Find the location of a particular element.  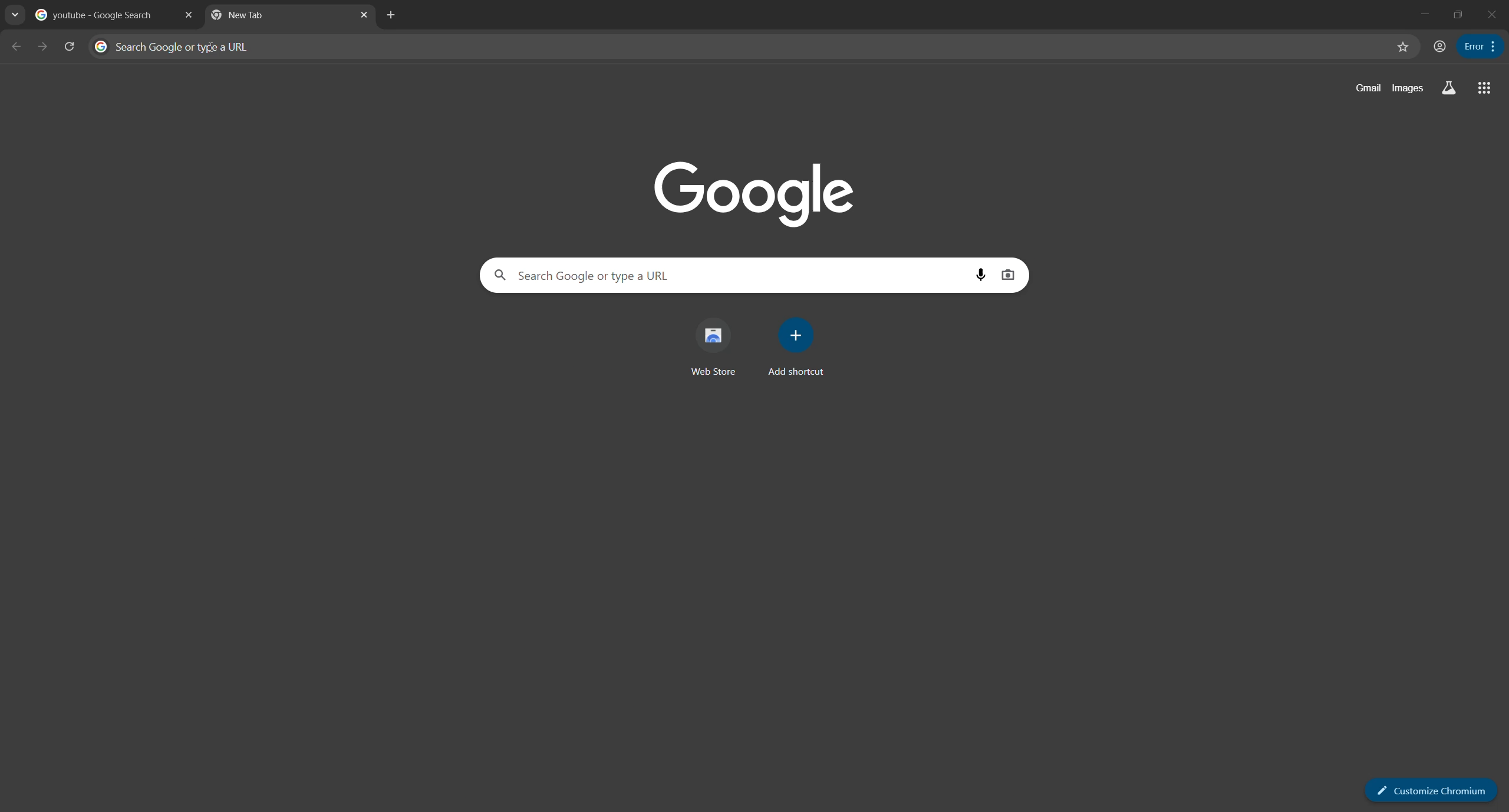

address bar is located at coordinates (739, 45).